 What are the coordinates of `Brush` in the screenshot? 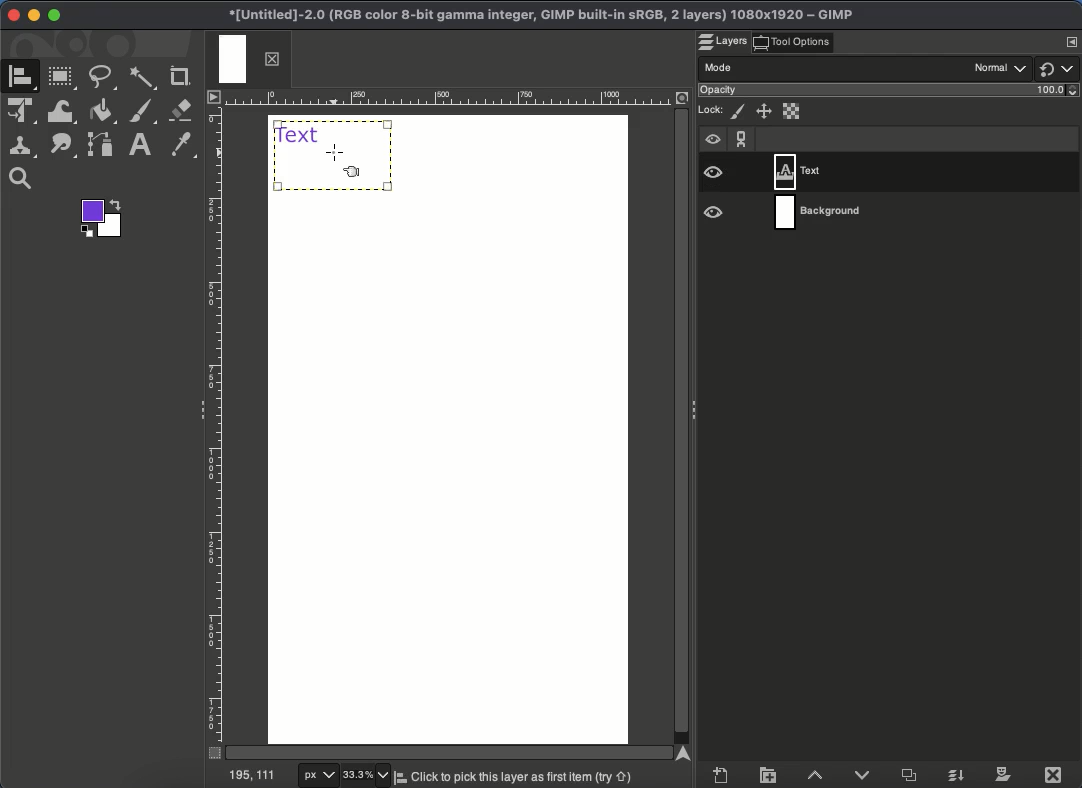 It's located at (143, 113).